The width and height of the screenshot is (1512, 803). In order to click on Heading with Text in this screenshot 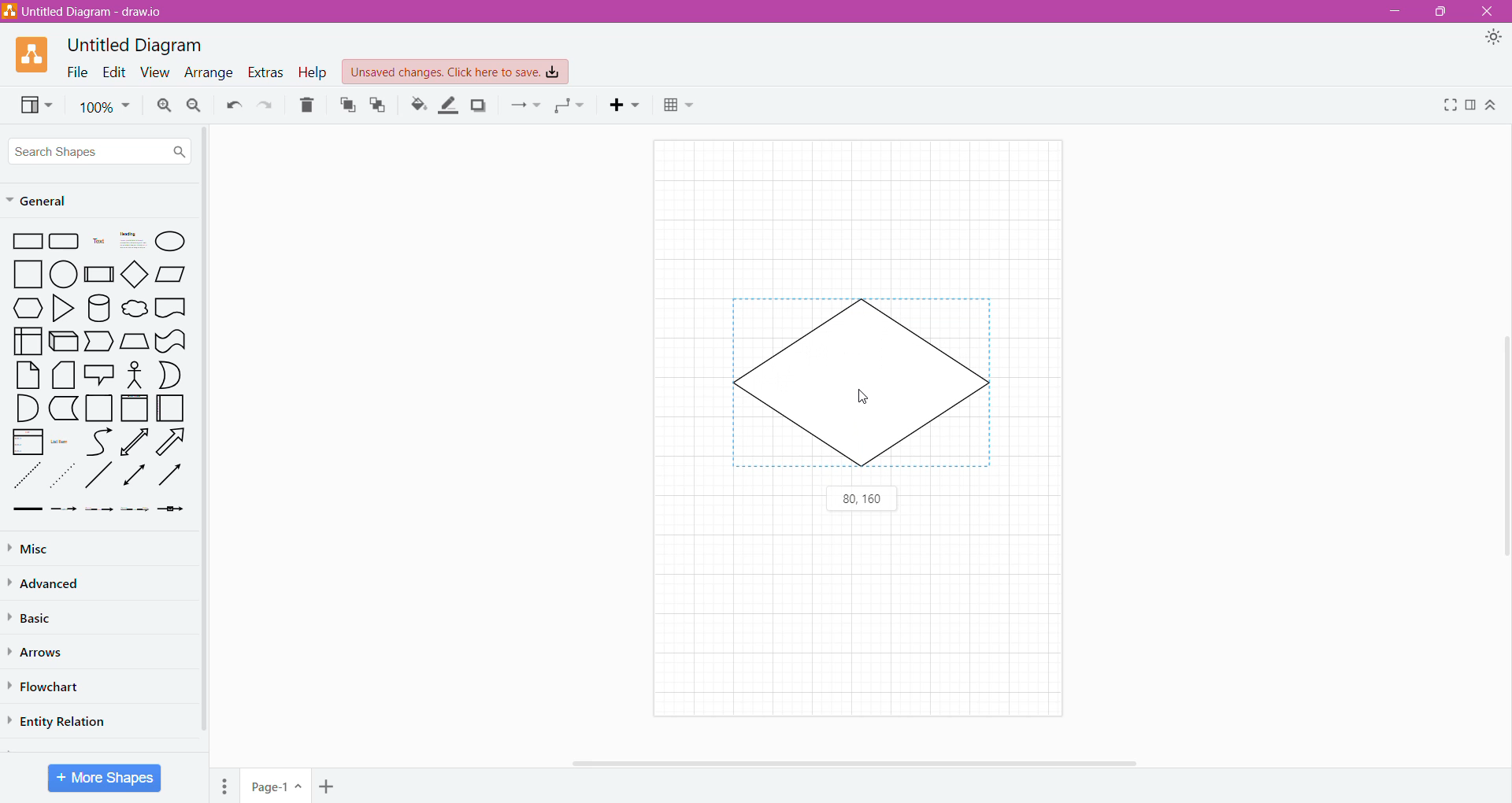, I will do `click(134, 242)`.